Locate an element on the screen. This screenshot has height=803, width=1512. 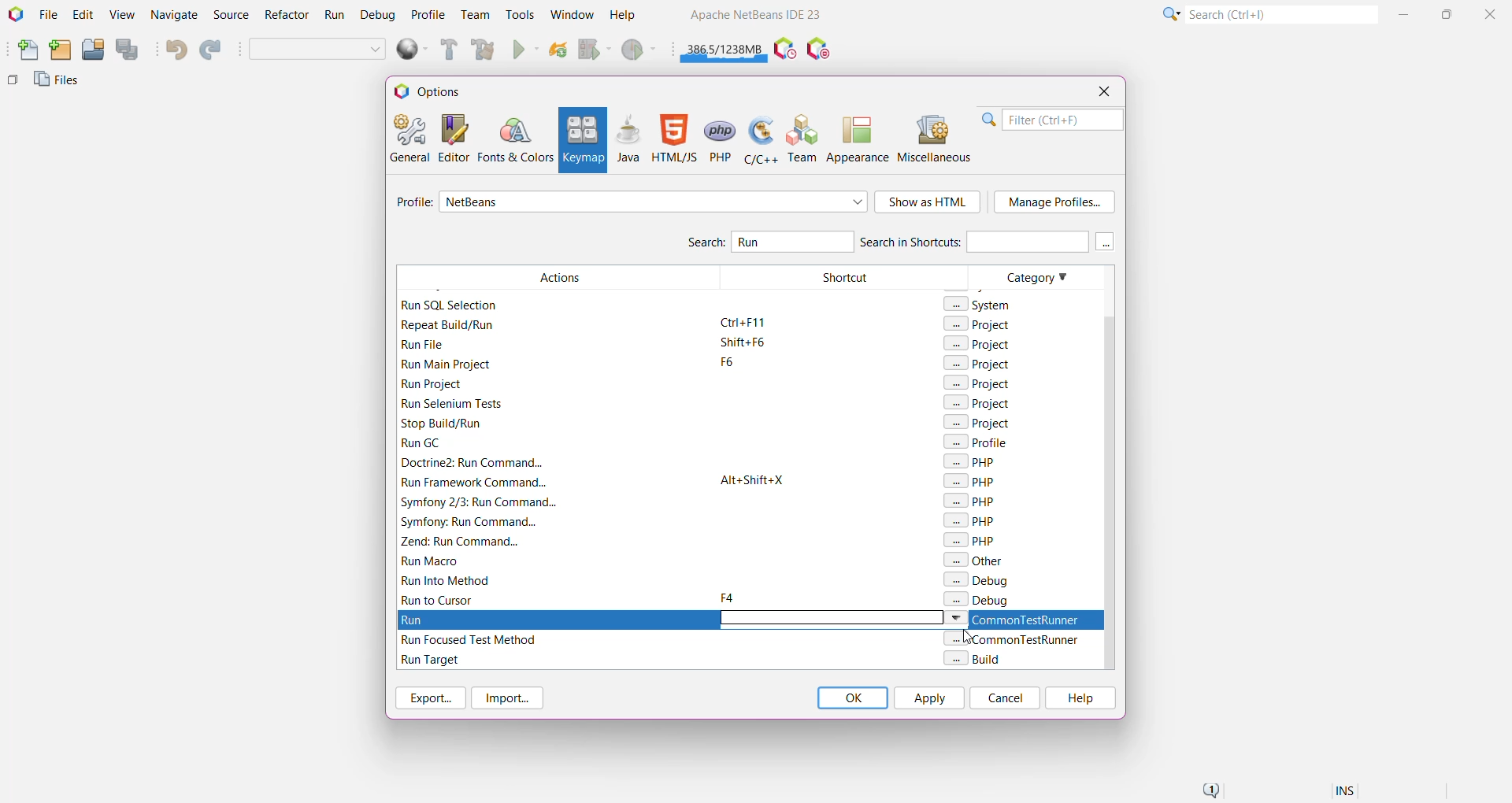
Notifications is located at coordinates (1210, 791).